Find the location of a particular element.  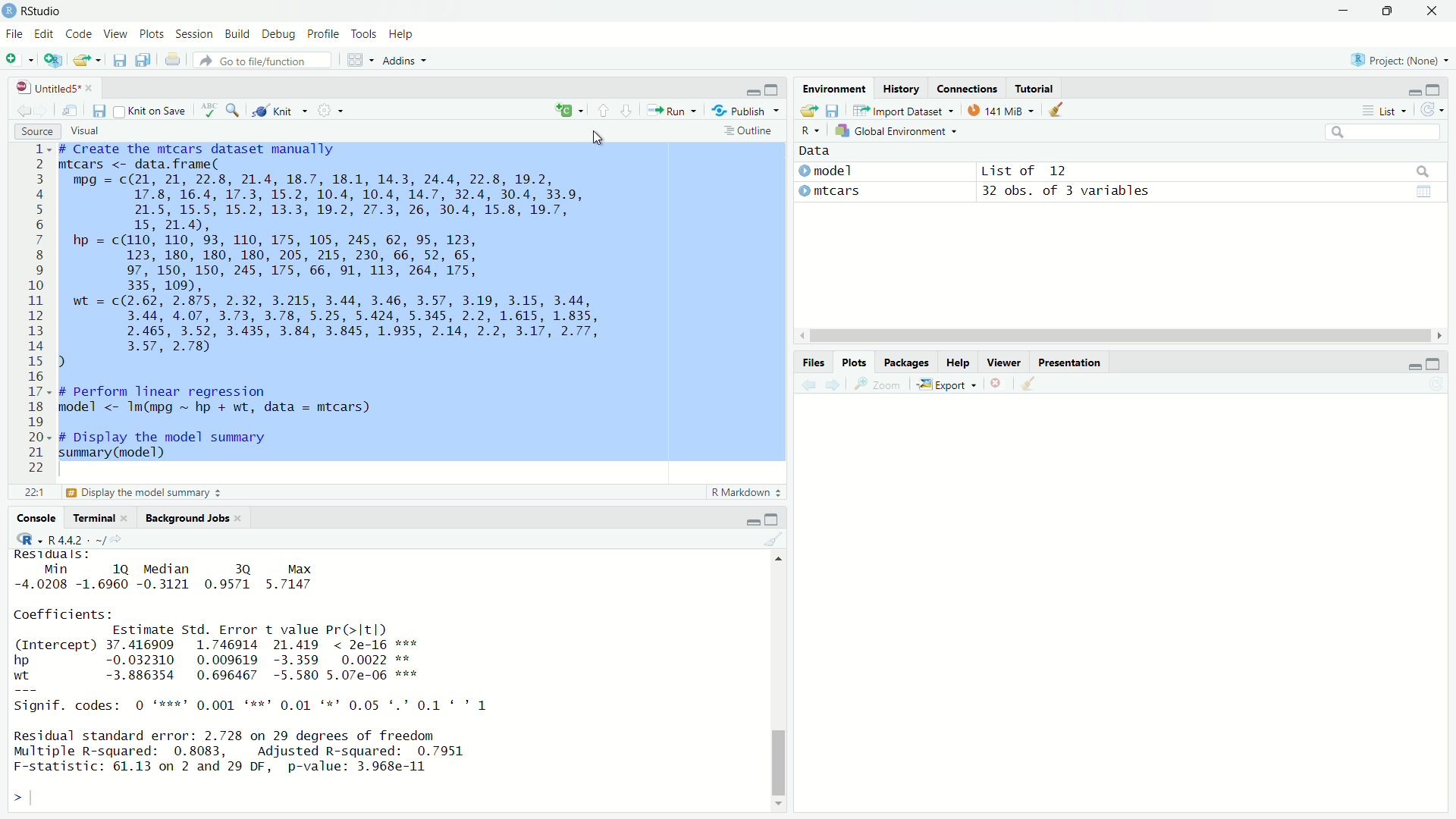

profile is located at coordinates (325, 33).